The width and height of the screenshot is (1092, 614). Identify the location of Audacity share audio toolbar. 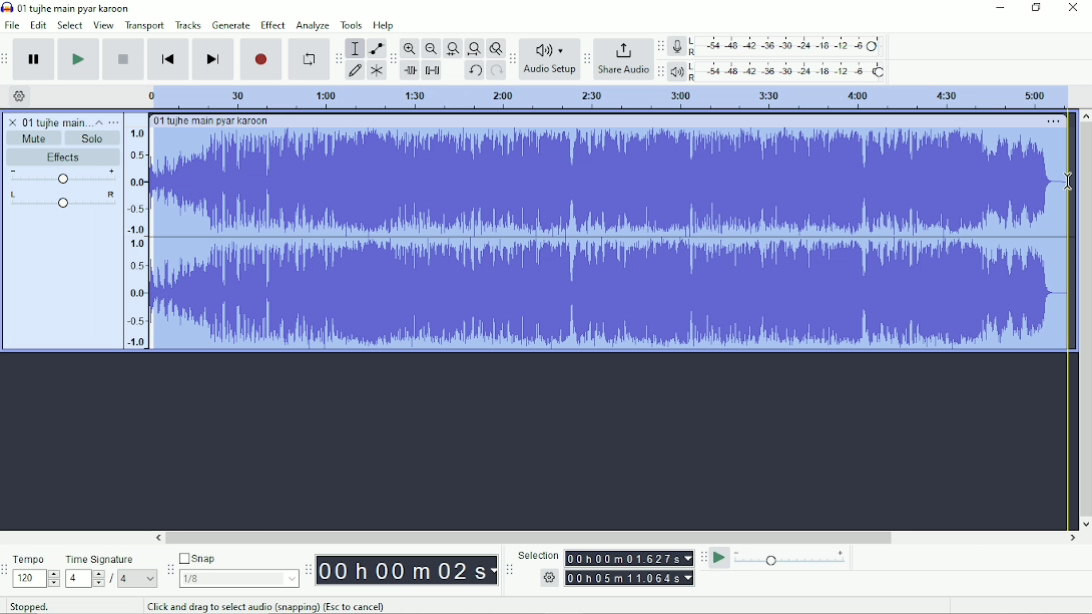
(587, 58).